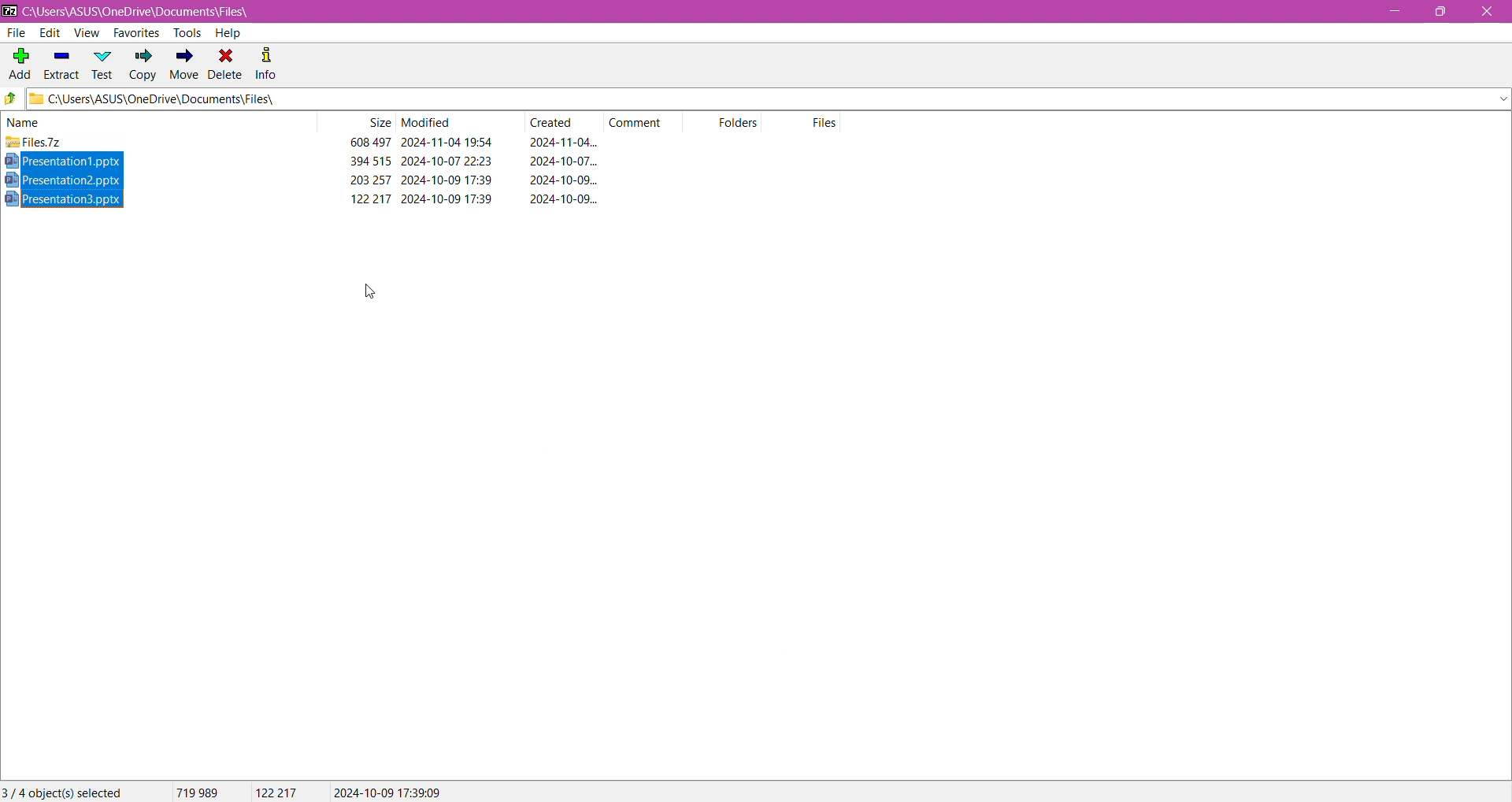 The height and width of the screenshot is (802, 1512). What do you see at coordinates (9, 10) in the screenshot?
I see `Application Logo` at bounding box center [9, 10].